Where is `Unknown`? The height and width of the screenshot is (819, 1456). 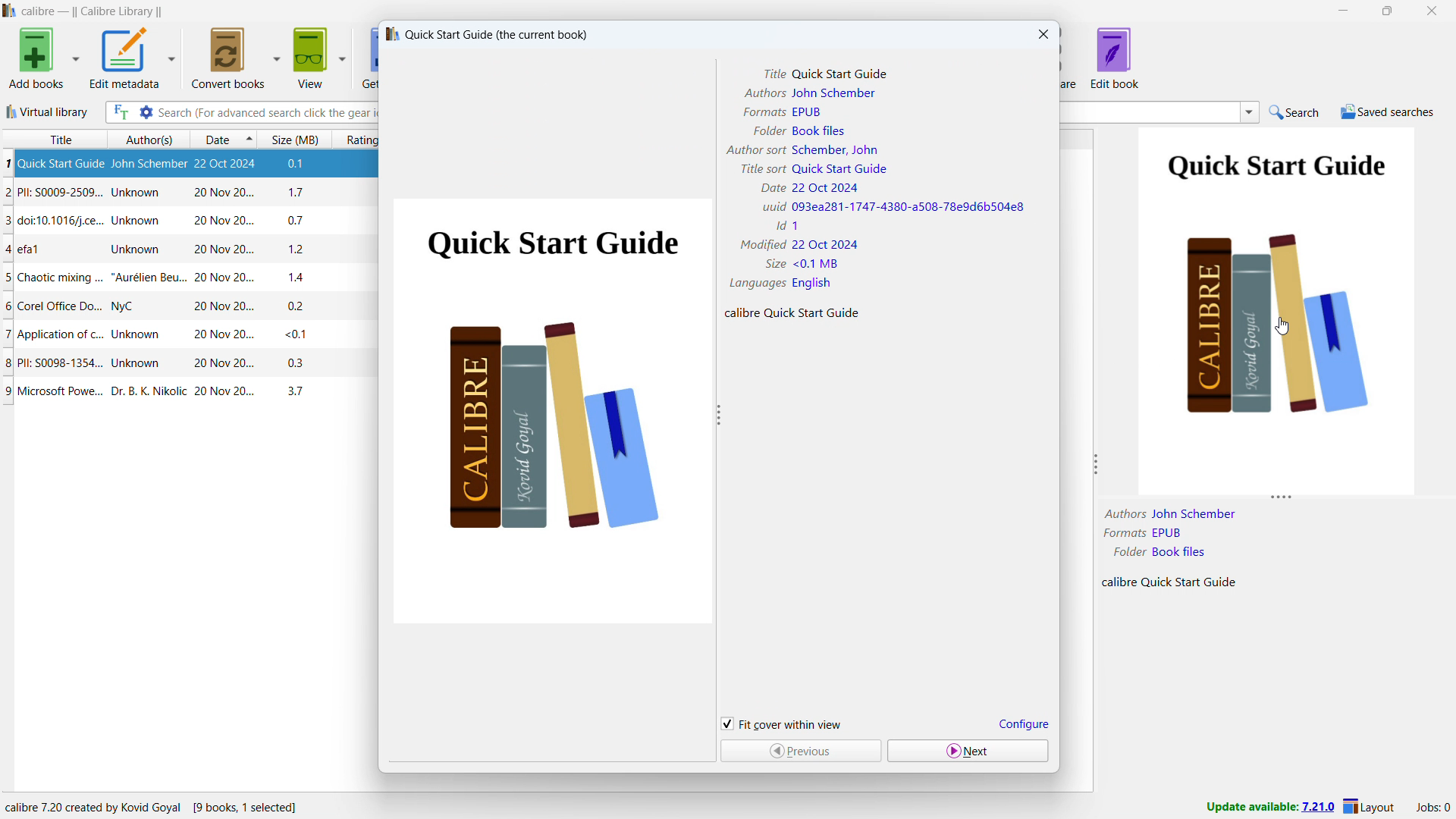
Unknown is located at coordinates (133, 248).